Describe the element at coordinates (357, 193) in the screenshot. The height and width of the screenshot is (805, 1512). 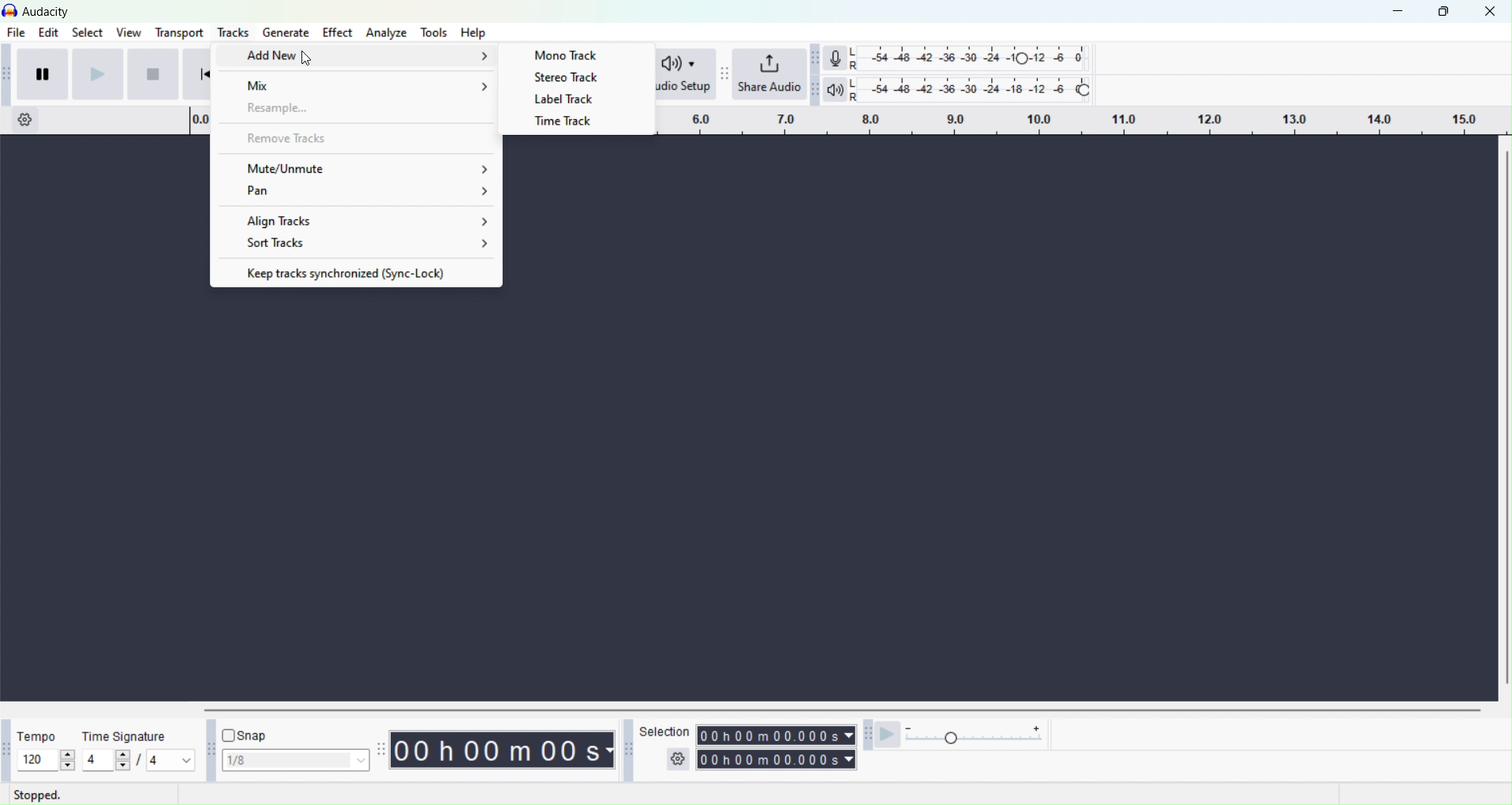
I see `Pan` at that location.